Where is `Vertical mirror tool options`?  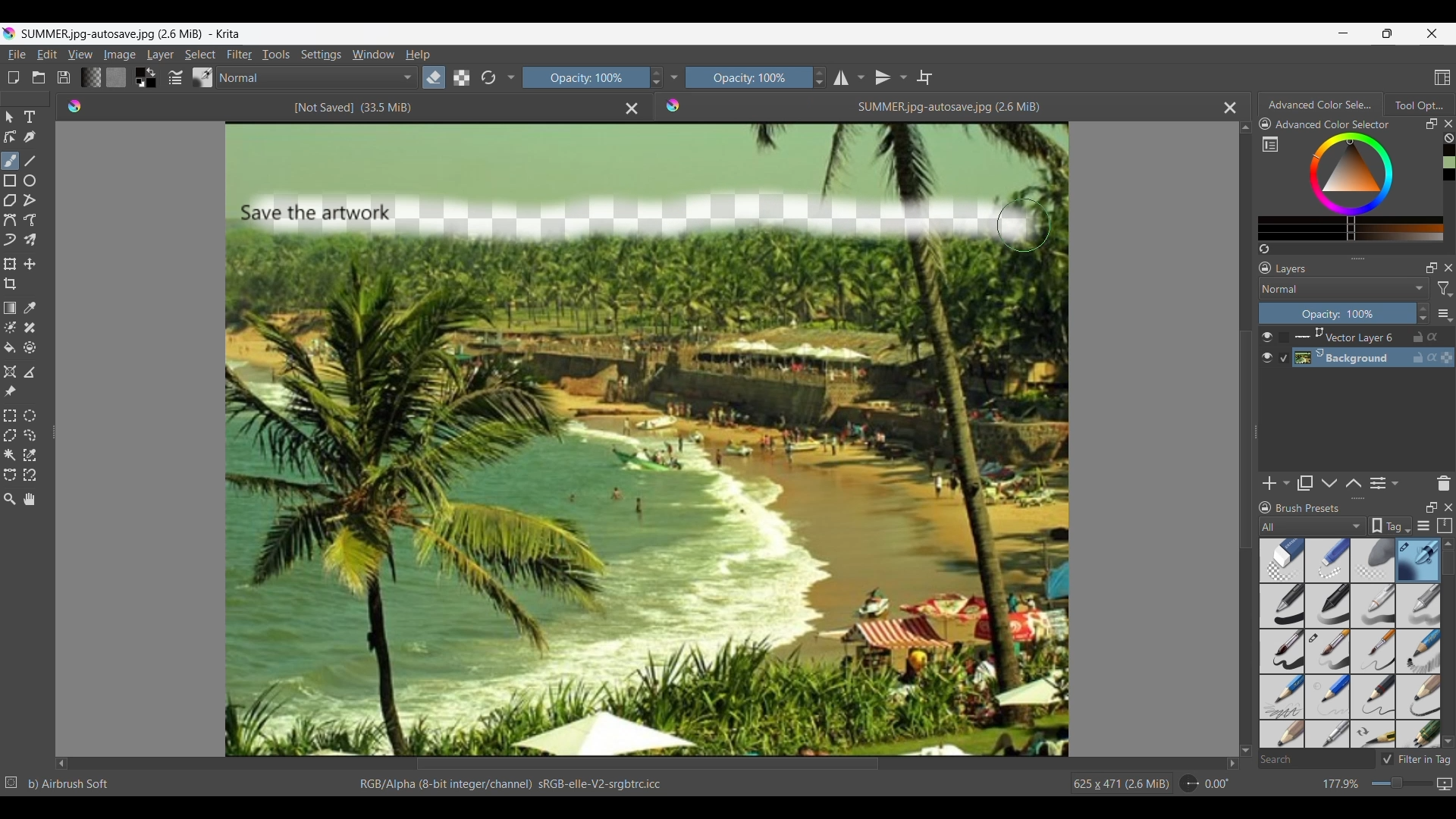
Vertical mirror tool options is located at coordinates (891, 77).